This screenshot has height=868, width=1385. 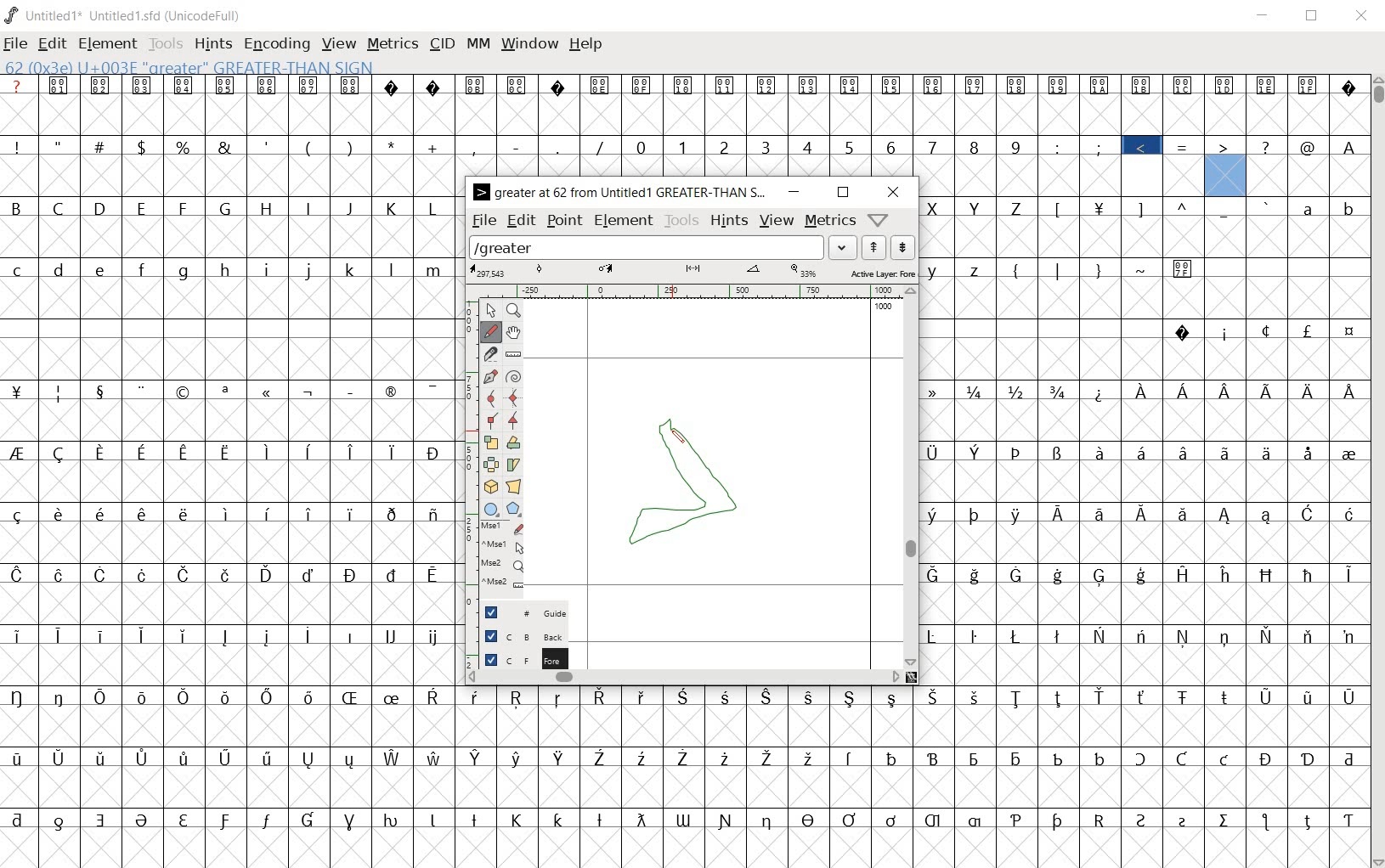 What do you see at coordinates (895, 192) in the screenshot?
I see `close` at bounding box center [895, 192].